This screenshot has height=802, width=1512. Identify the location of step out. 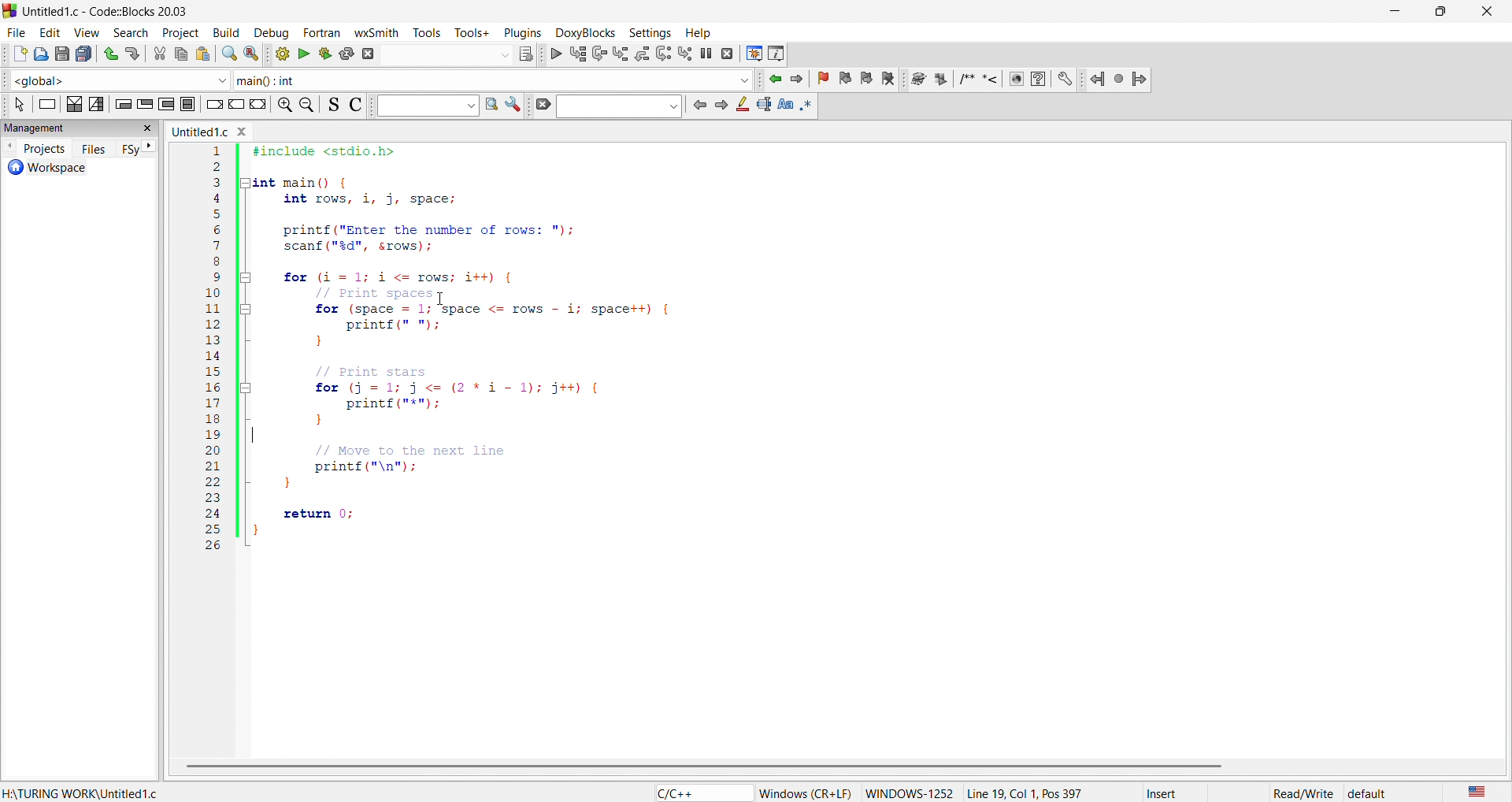
(641, 53).